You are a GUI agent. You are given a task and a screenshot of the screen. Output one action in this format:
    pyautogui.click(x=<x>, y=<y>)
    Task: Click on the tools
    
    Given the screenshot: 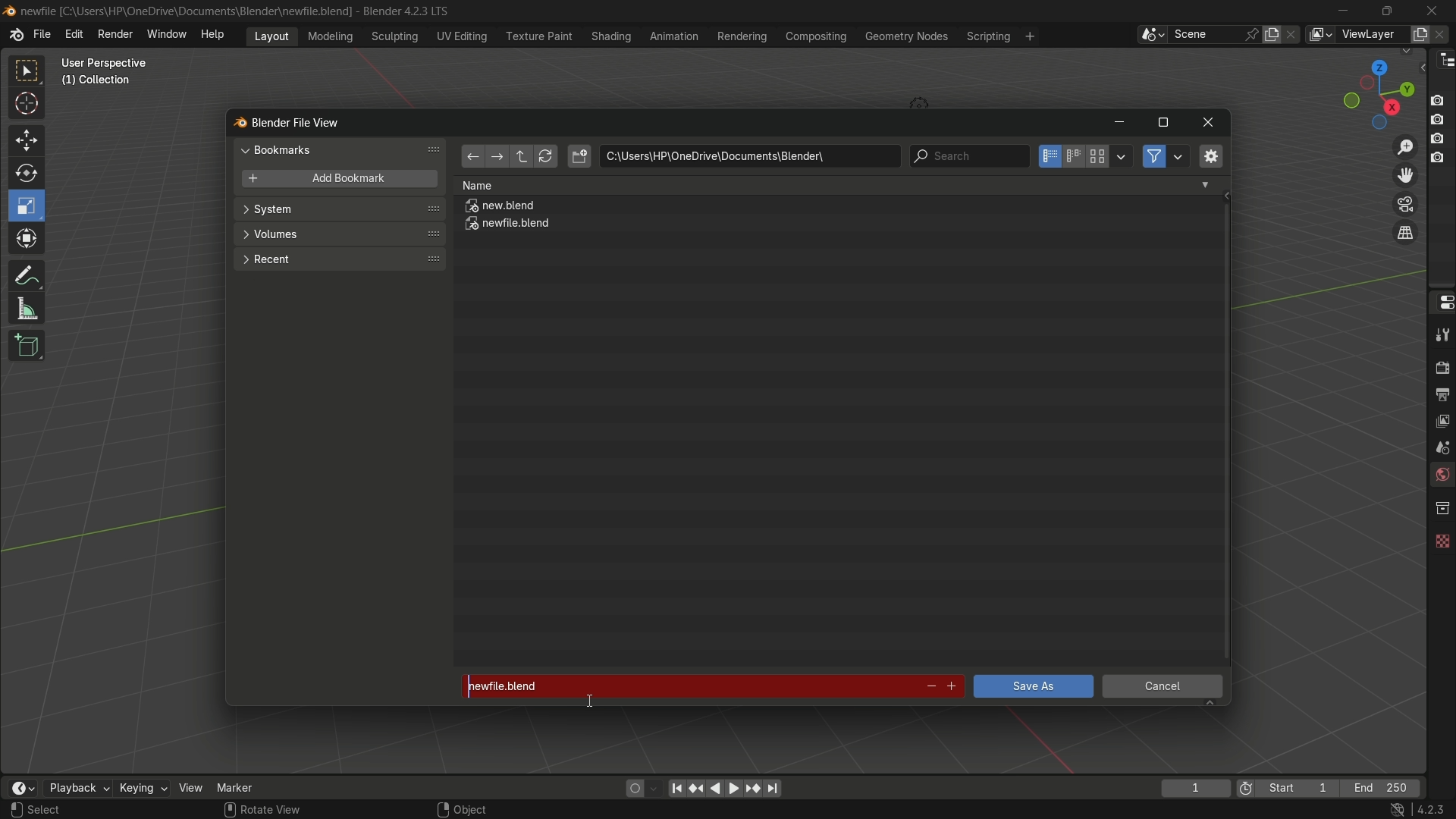 What is the action you would take?
    pyautogui.click(x=1441, y=334)
    